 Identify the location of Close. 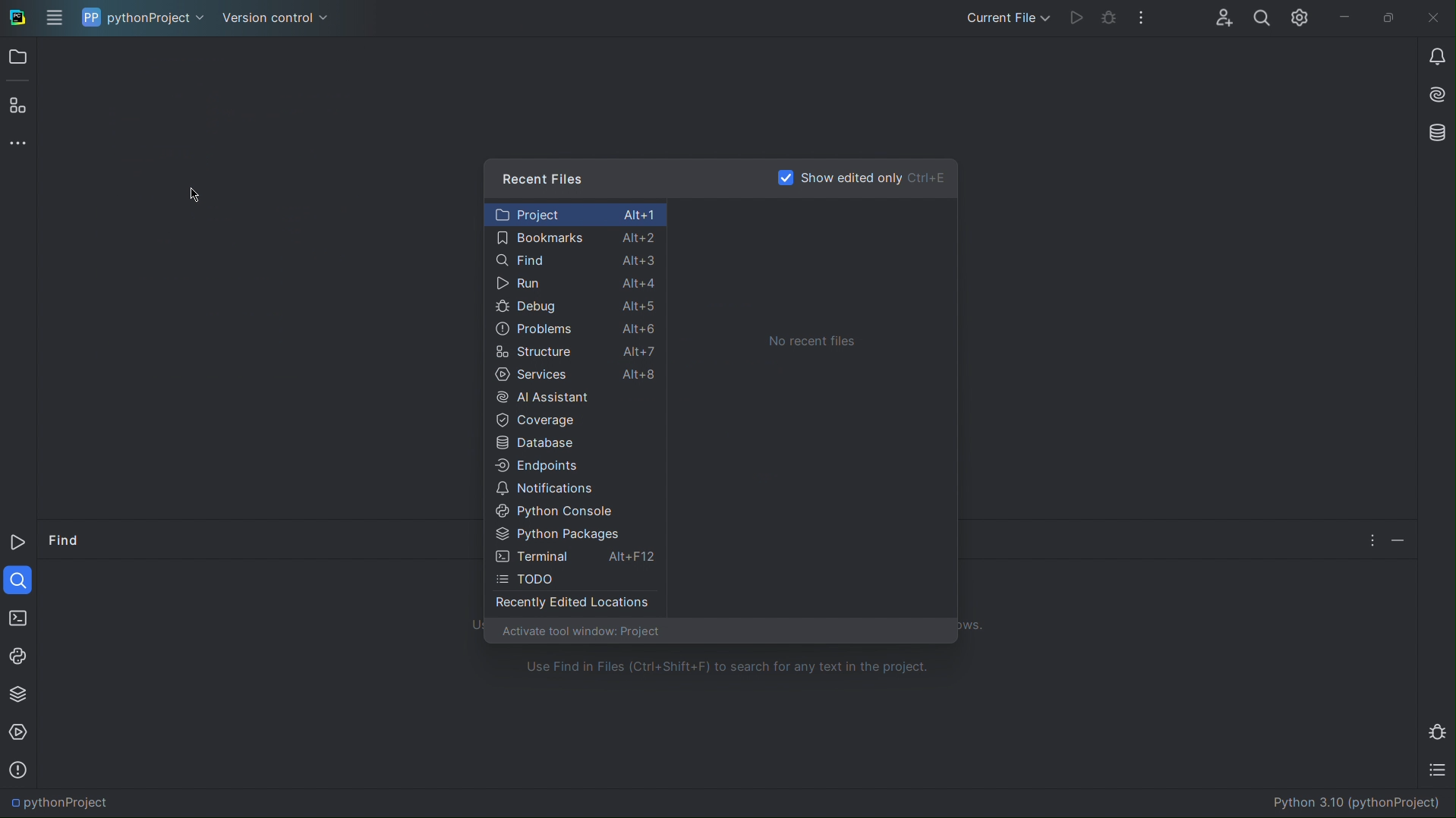
(1434, 19).